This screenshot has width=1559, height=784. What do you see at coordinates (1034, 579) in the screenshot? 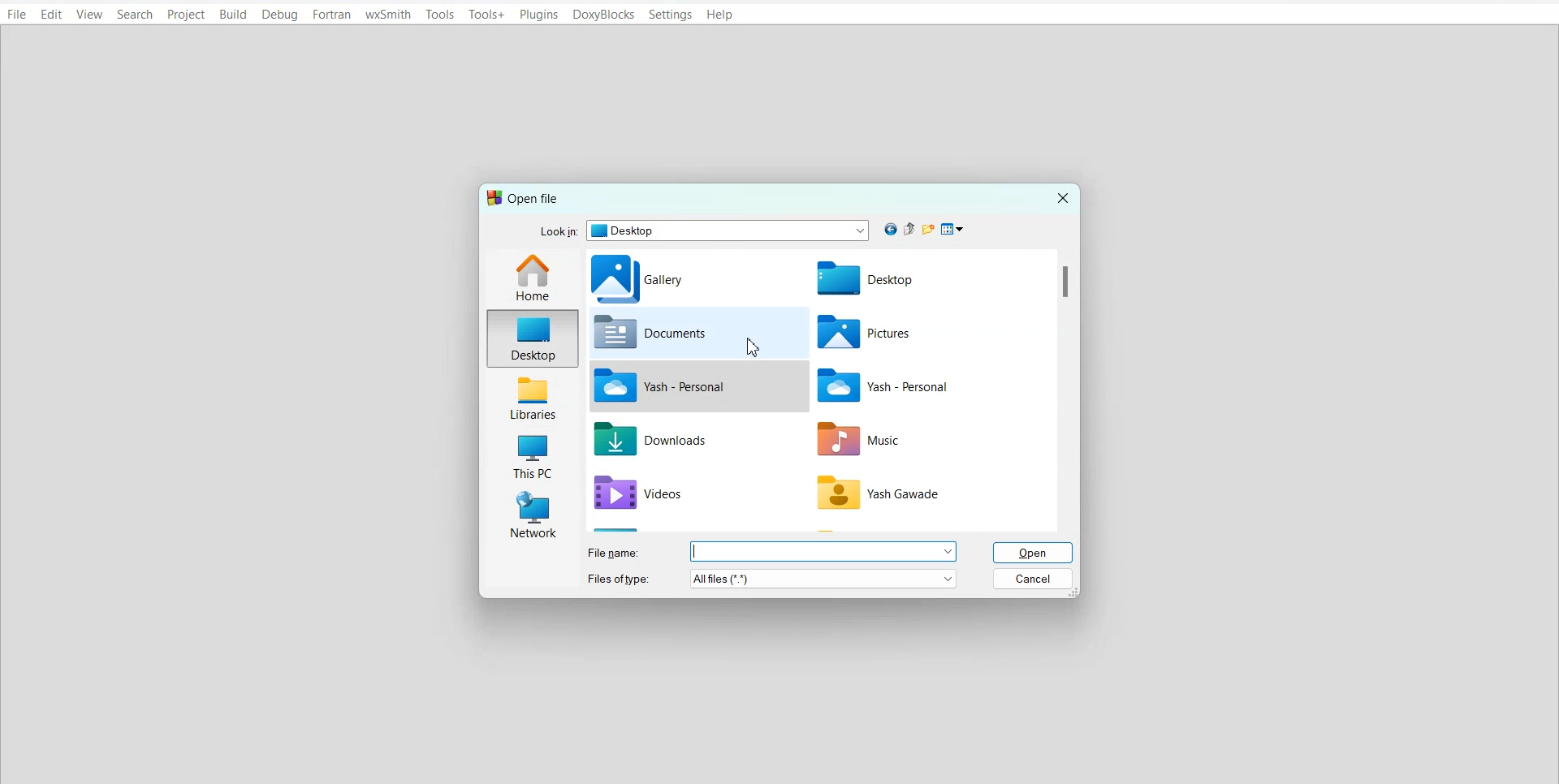
I see `Cancel` at bounding box center [1034, 579].